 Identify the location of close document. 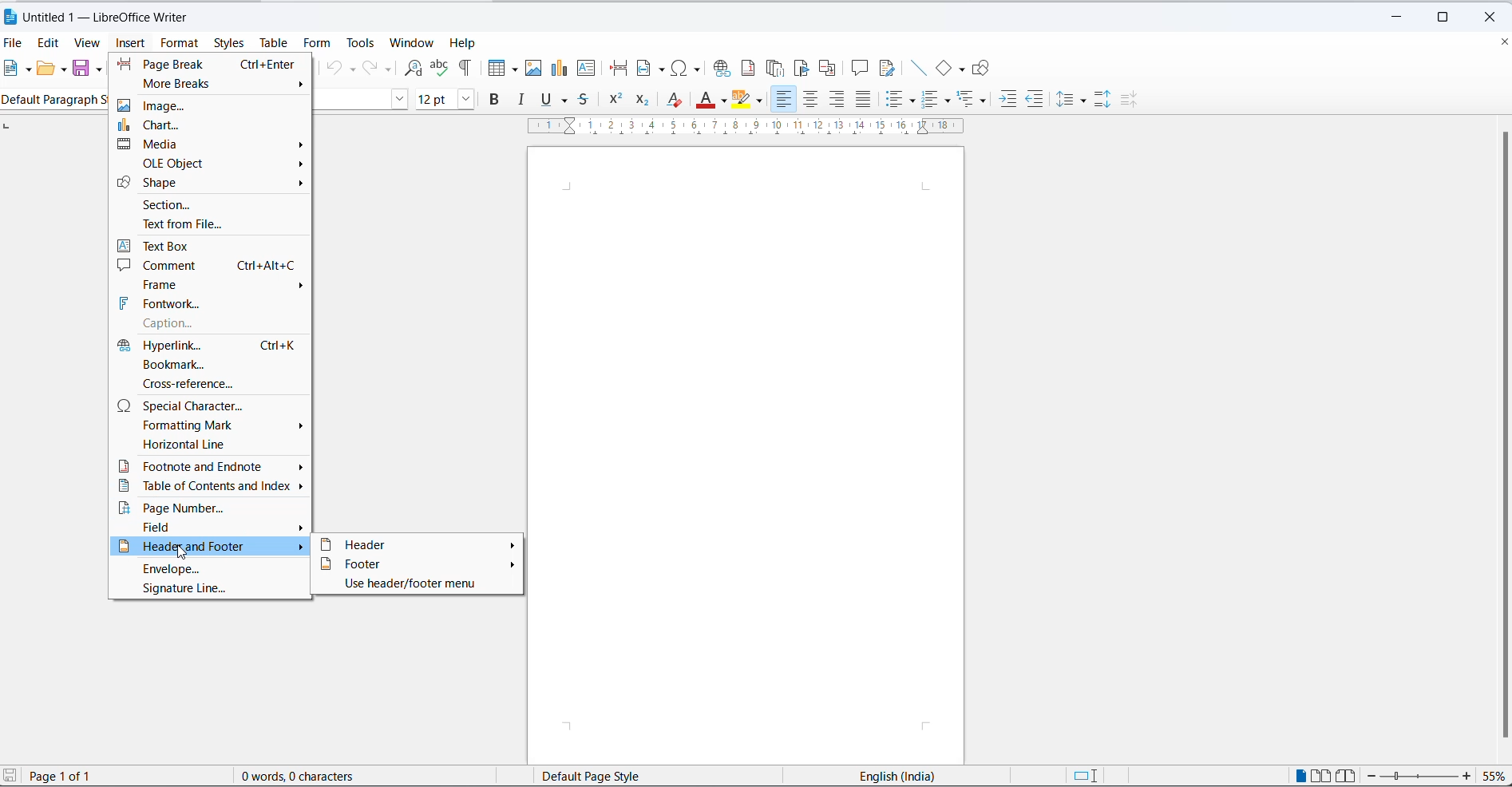
(1502, 41).